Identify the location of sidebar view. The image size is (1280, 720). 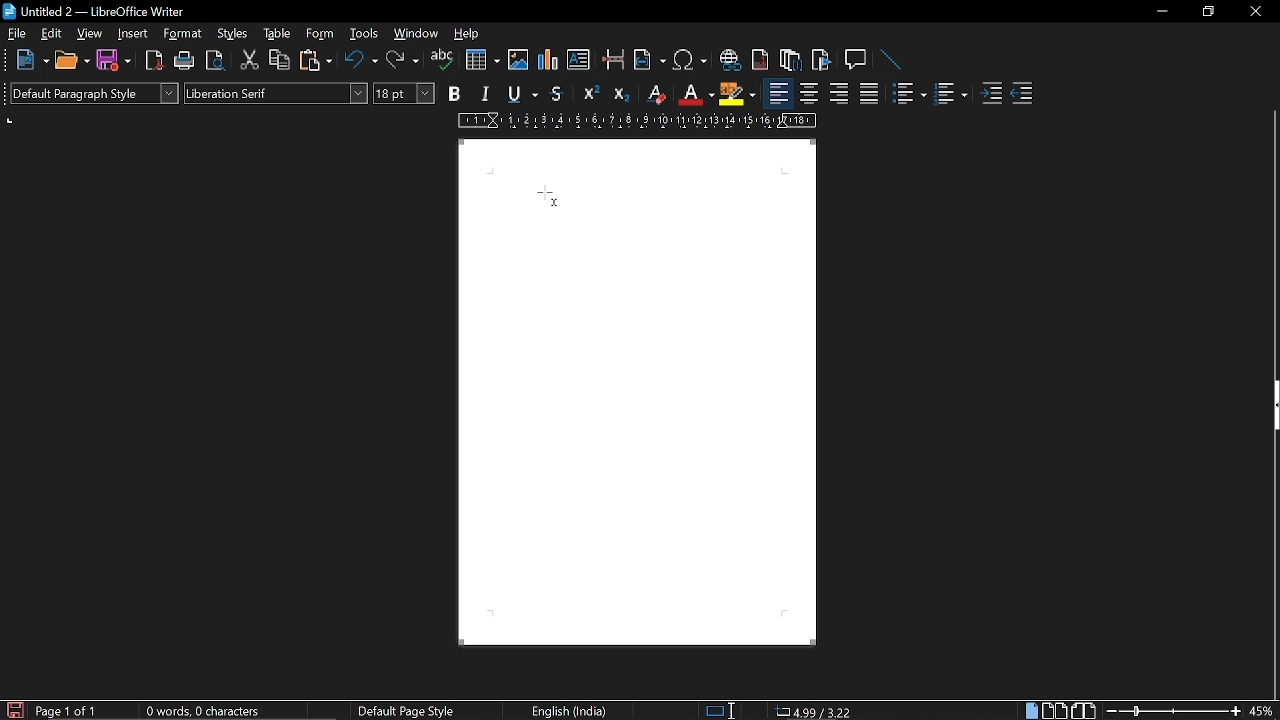
(1272, 408).